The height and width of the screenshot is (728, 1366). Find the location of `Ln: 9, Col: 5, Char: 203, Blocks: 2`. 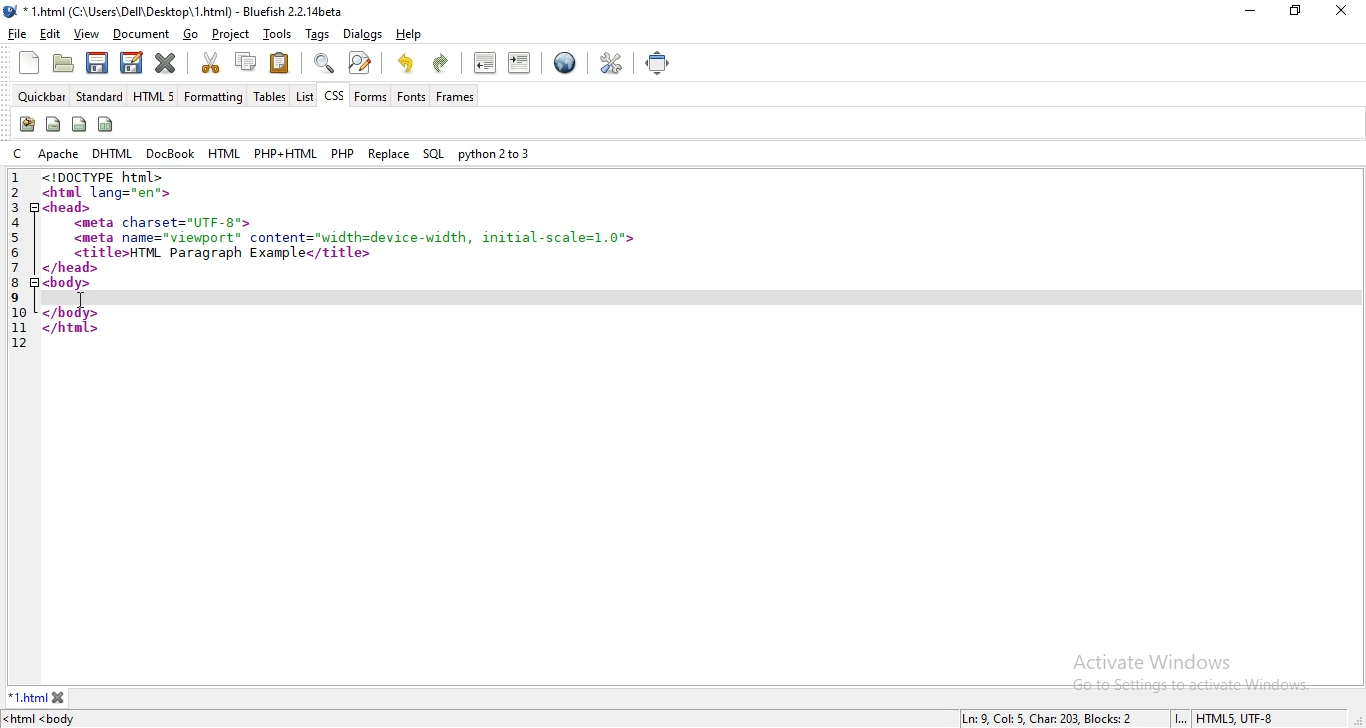

Ln: 9, Col: 5, Char: 203, Blocks: 2 is located at coordinates (1053, 719).